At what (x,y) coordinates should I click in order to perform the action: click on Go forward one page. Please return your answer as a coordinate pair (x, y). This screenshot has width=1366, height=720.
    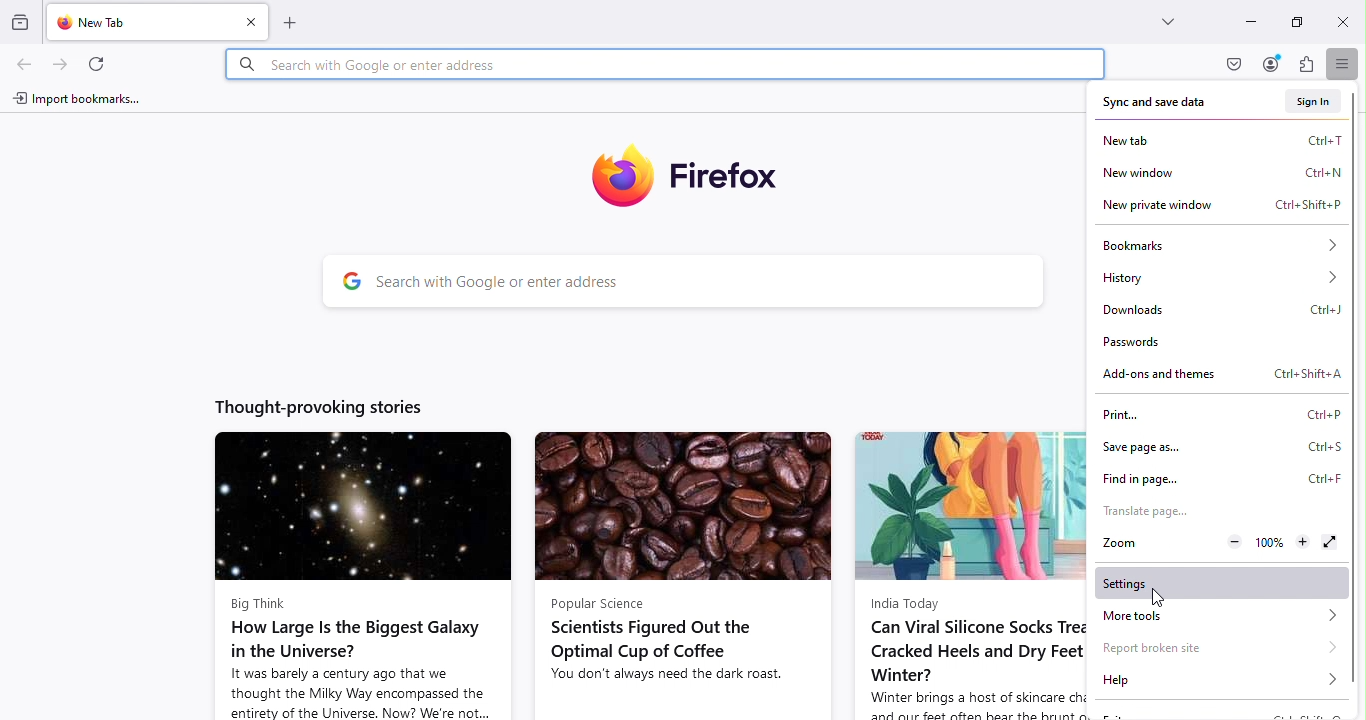
    Looking at the image, I should click on (63, 63).